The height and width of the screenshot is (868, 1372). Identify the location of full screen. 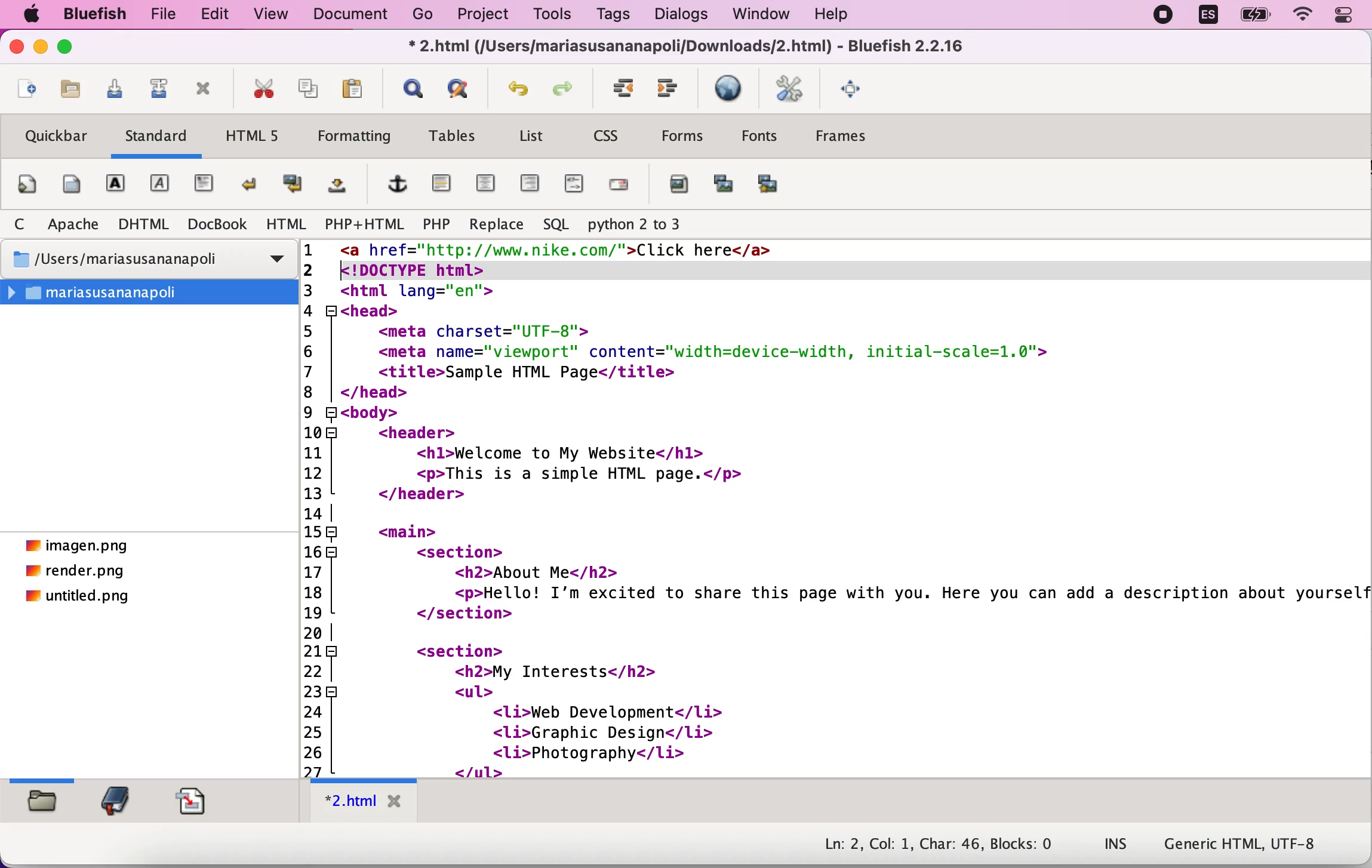
(857, 95).